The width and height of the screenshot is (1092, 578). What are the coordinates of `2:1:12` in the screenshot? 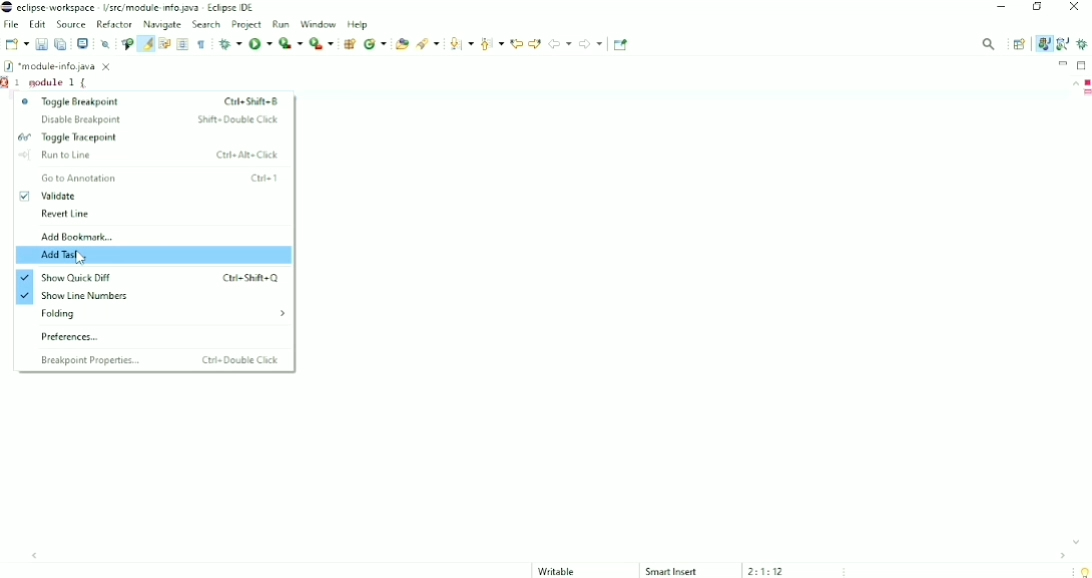 It's located at (767, 571).